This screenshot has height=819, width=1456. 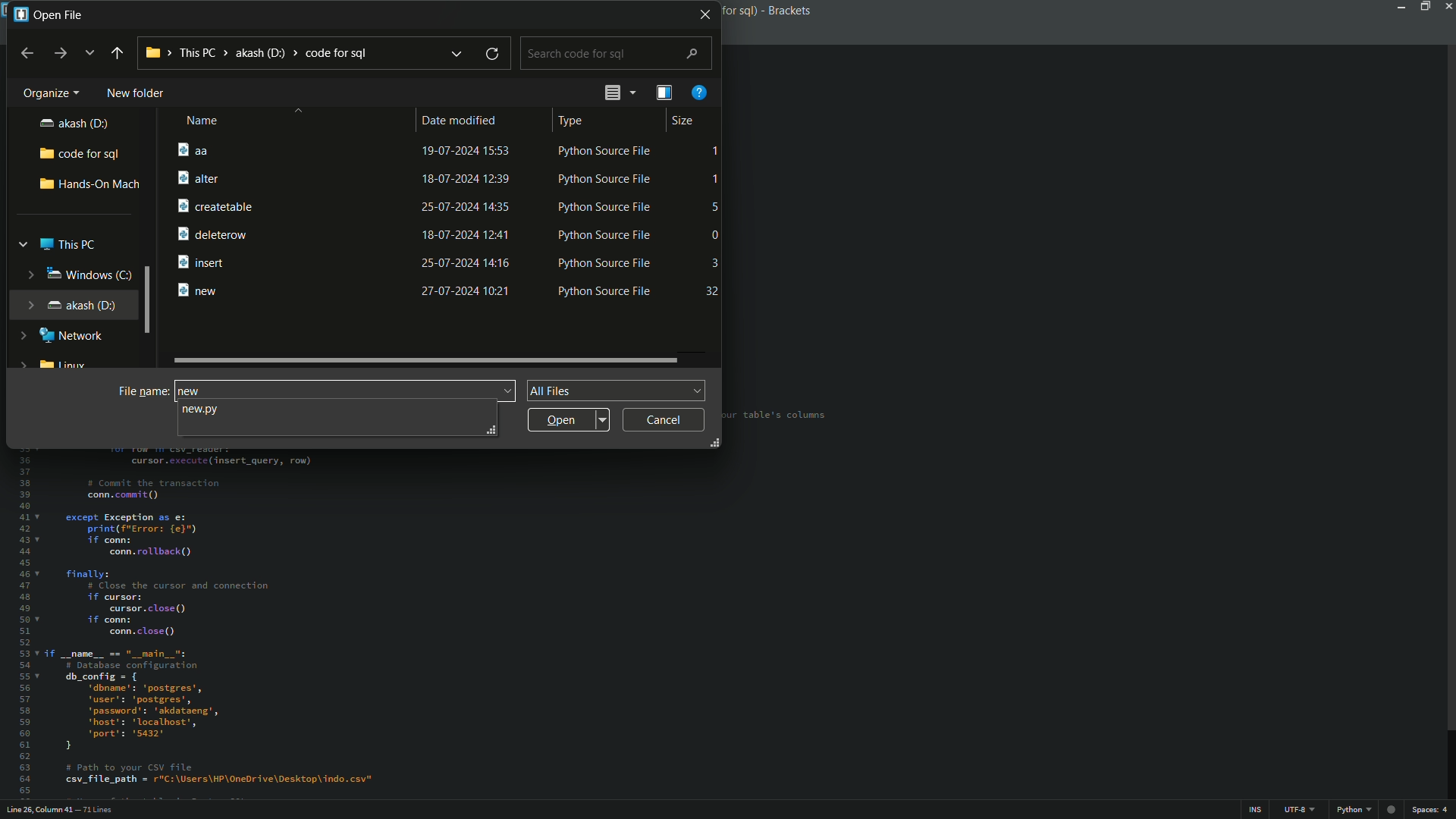 What do you see at coordinates (664, 419) in the screenshot?
I see `cancel` at bounding box center [664, 419].